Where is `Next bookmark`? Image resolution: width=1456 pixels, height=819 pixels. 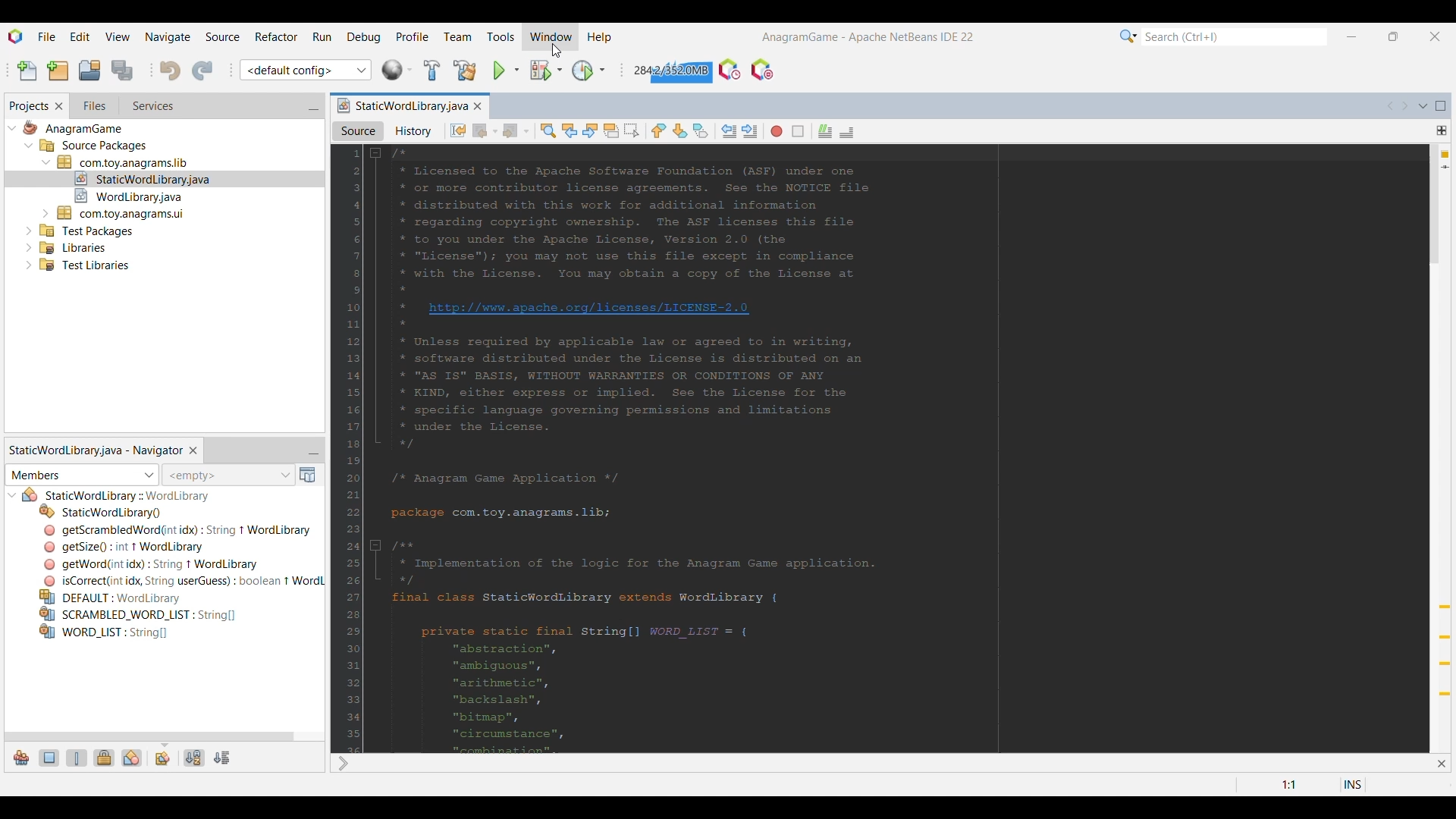
Next bookmark is located at coordinates (680, 131).